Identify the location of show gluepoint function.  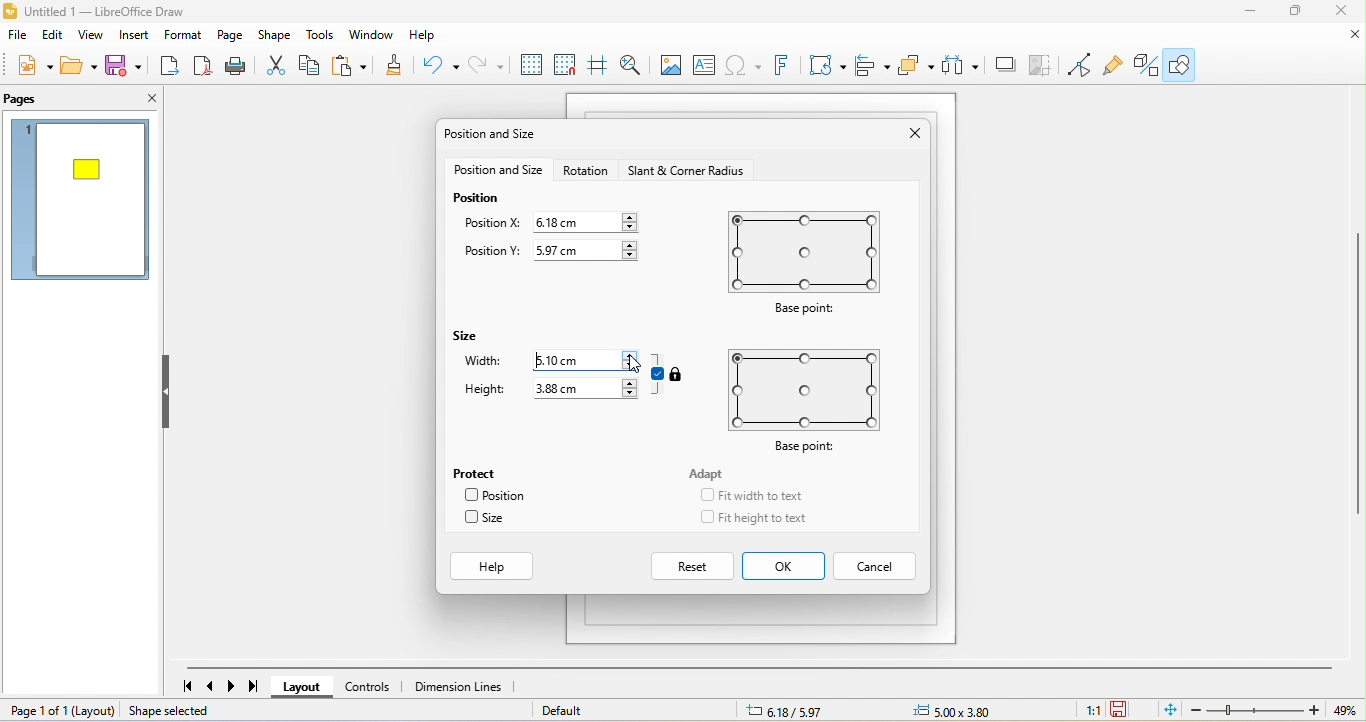
(1114, 64).